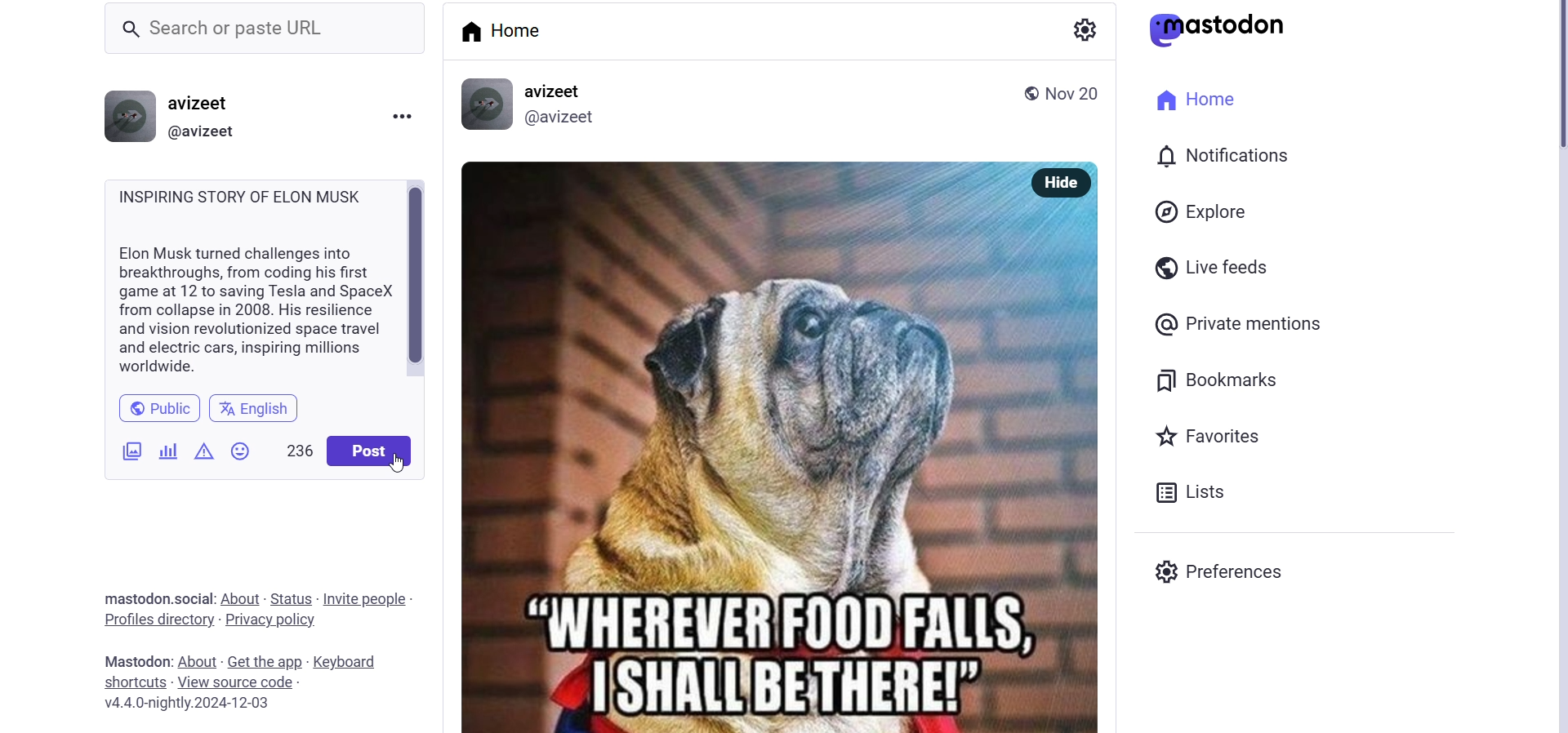 Image resolution: width=1568 pixels, height=733 pixels. Describe the element at coordinates (198, 704) in the screenshot. I see `version` at that location.